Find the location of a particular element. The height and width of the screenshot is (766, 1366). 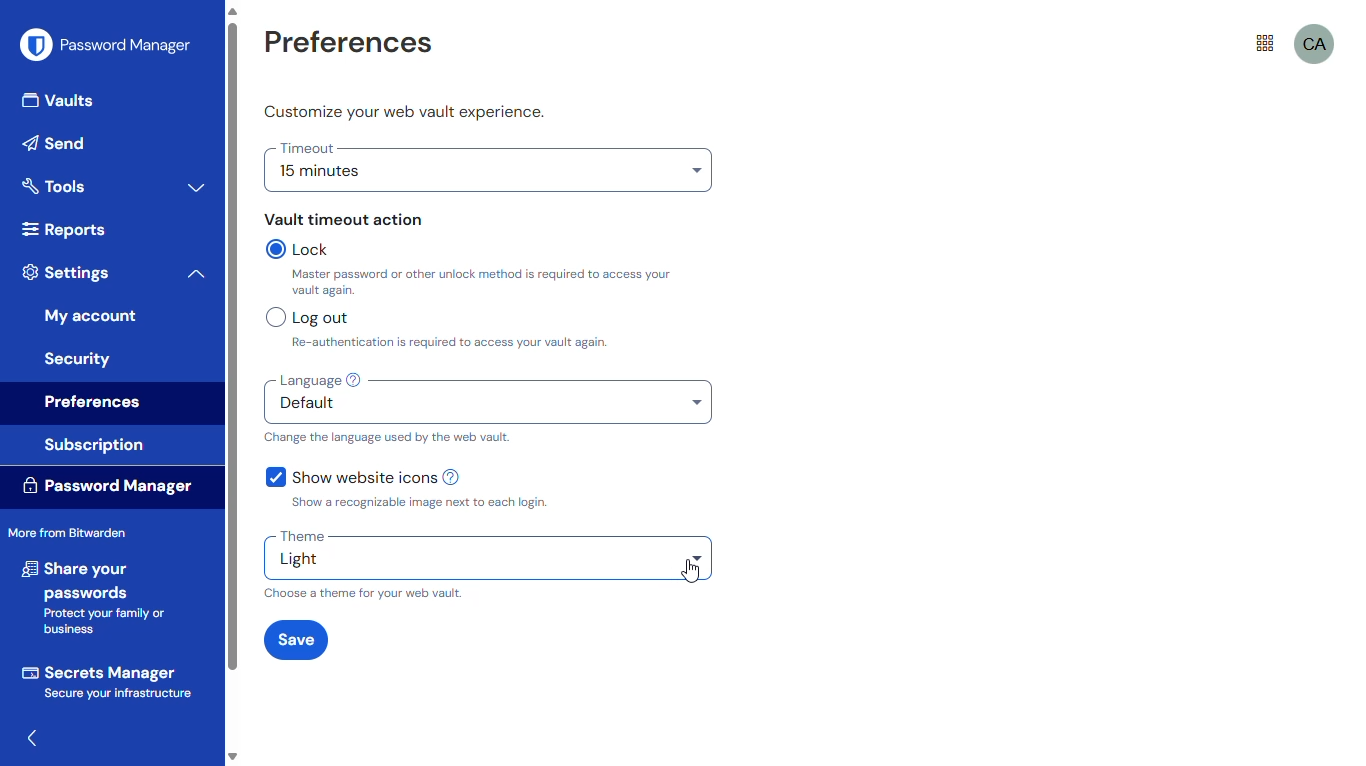

password manager is located at coordinates (107, 484).